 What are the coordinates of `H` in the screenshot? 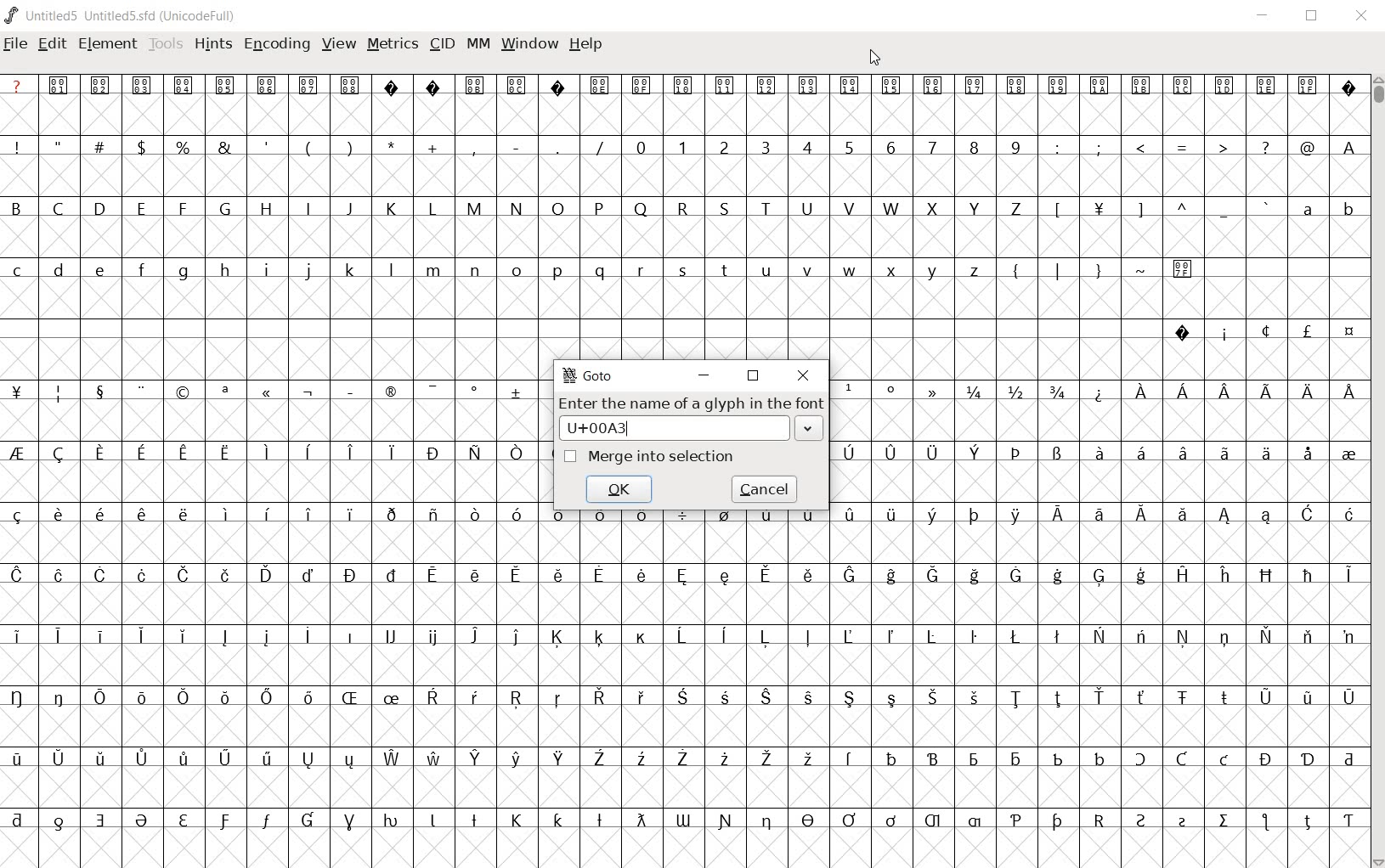 It's located at (267, 209).